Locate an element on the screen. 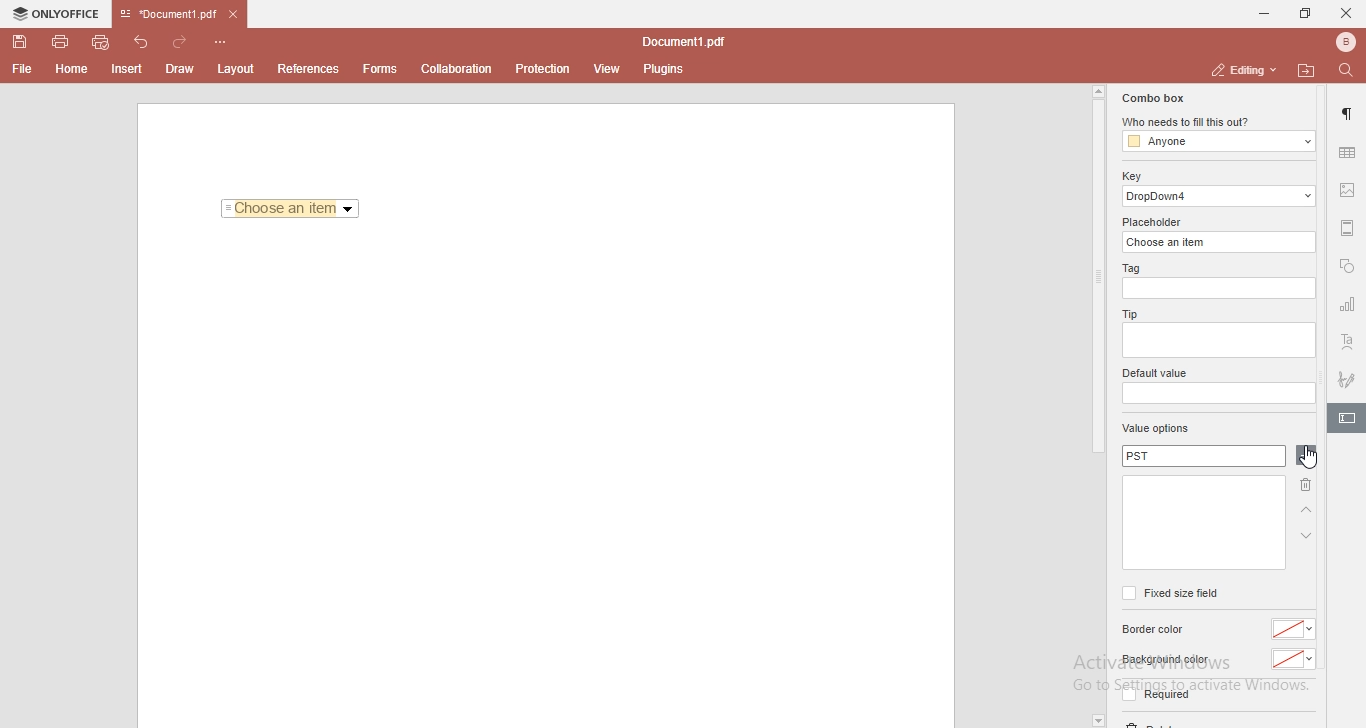 The image size is (1366, 728). empty box is located at coordinates (1221, 289).